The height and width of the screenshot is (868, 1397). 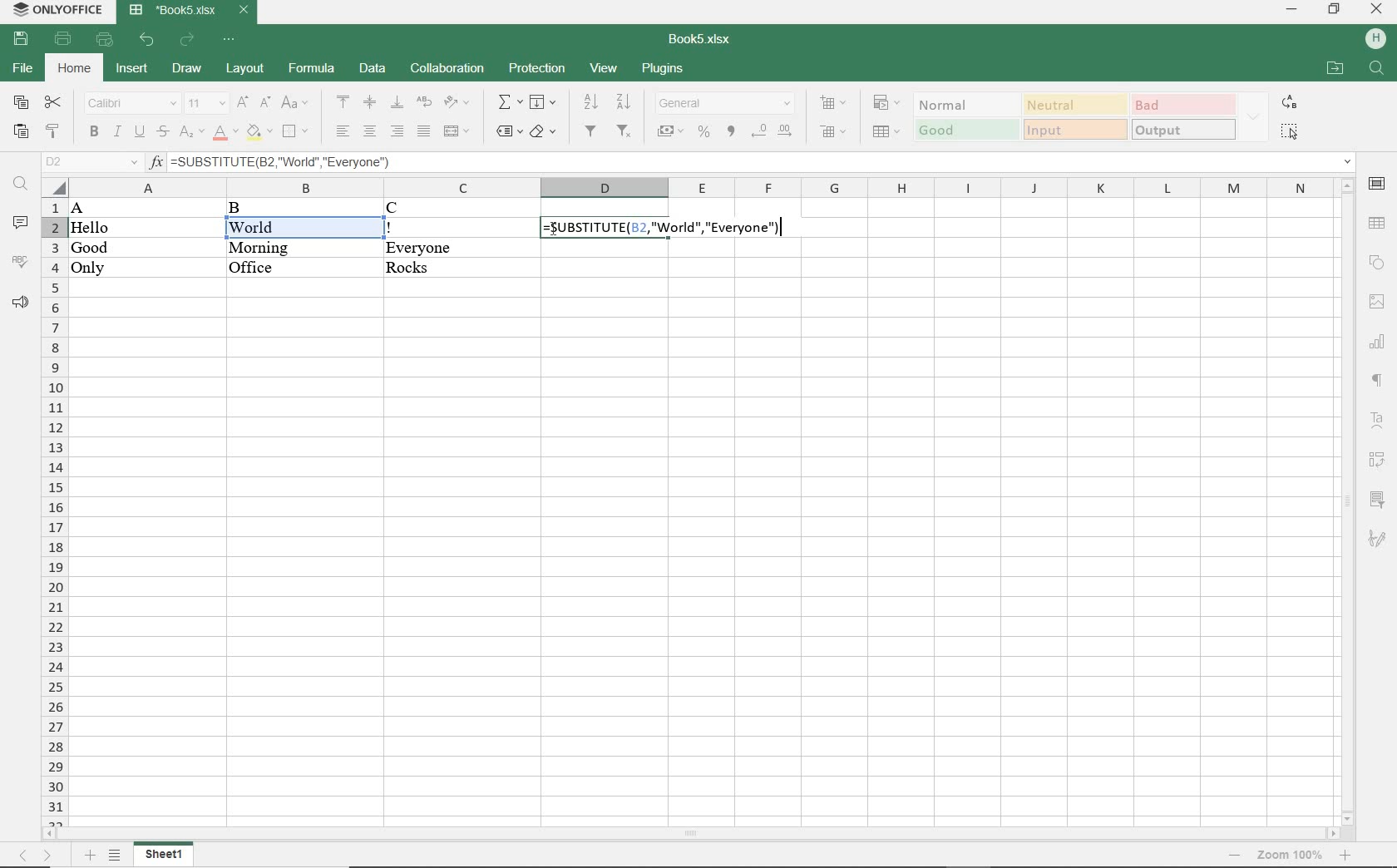 What do you see at coordinates (23, 69) in the screenshot?
I see `file` at bounding box center [23, 69].